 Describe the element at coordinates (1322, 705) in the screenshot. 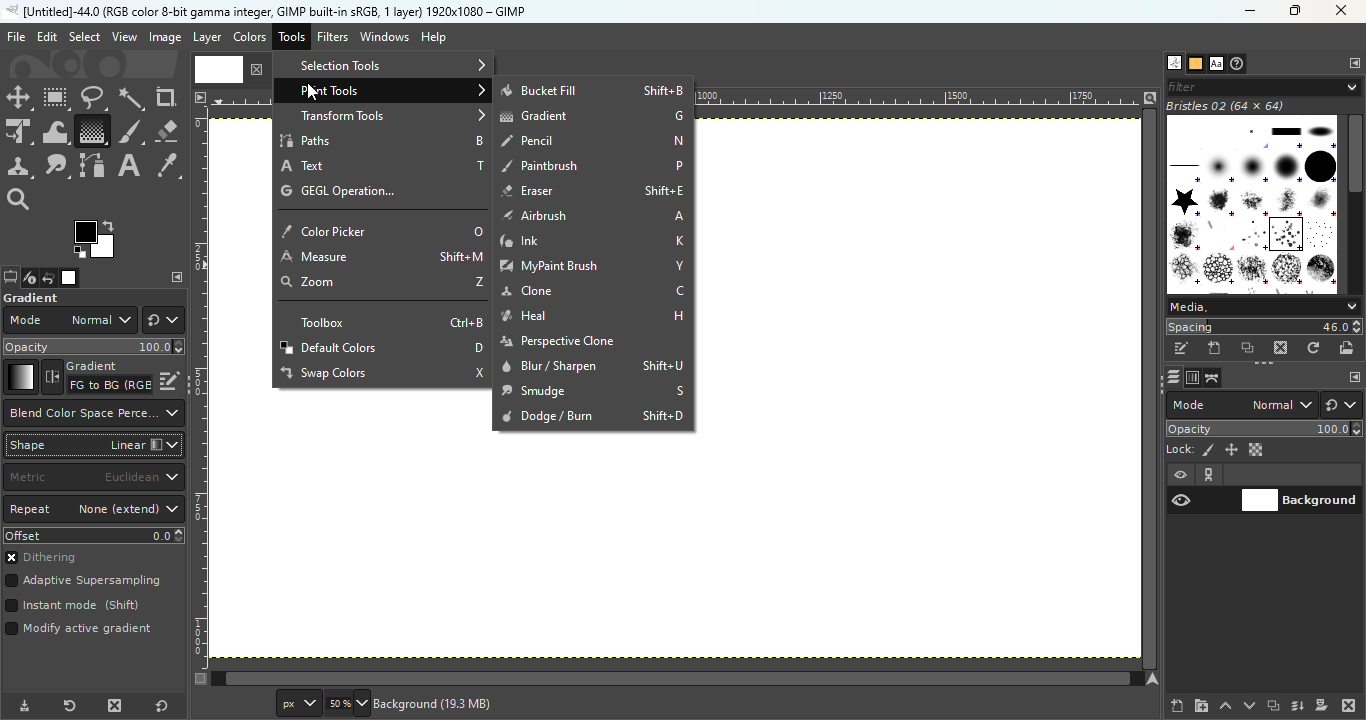

I see `Add a mask that allows non destructive editing of transperency` at that location.